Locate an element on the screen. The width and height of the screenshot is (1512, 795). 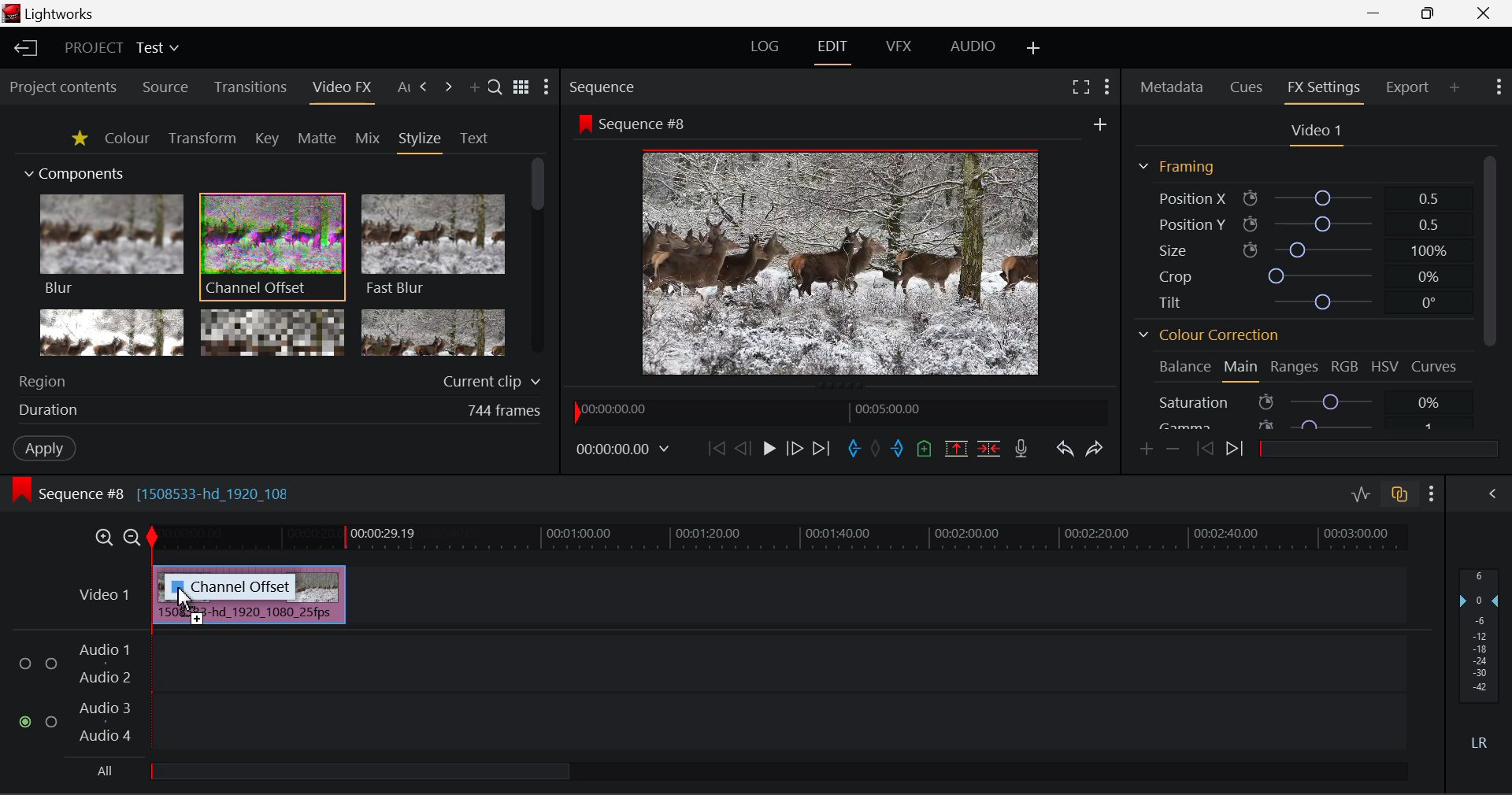
Scroll Bar is located at coordinates (1489, 294).